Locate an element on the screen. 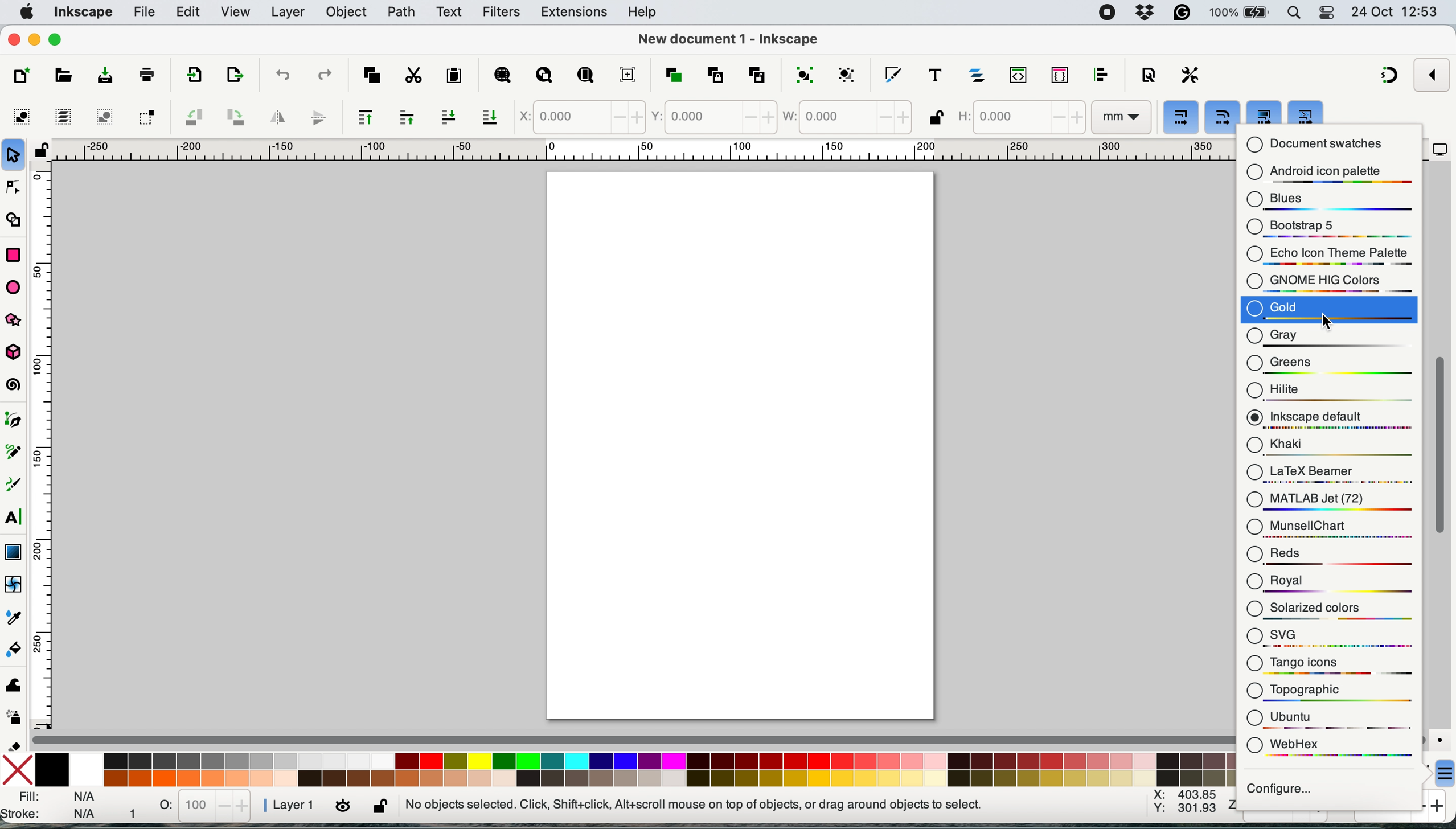 This screenshot has height=829, width=1456. more options is located at coordinates (1442, 766).